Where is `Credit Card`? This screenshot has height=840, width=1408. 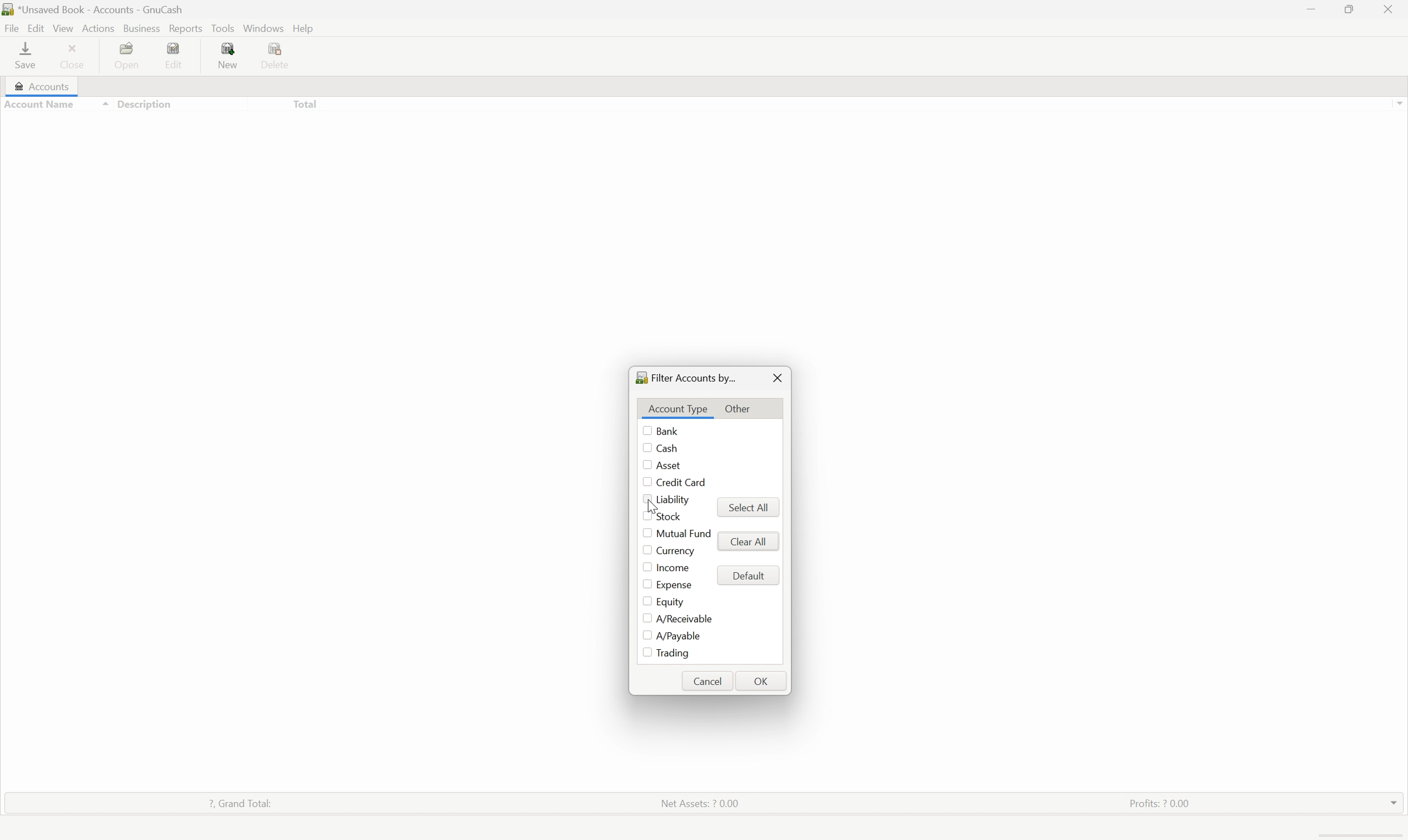 Credit Card is located at coordinates (687, 483).